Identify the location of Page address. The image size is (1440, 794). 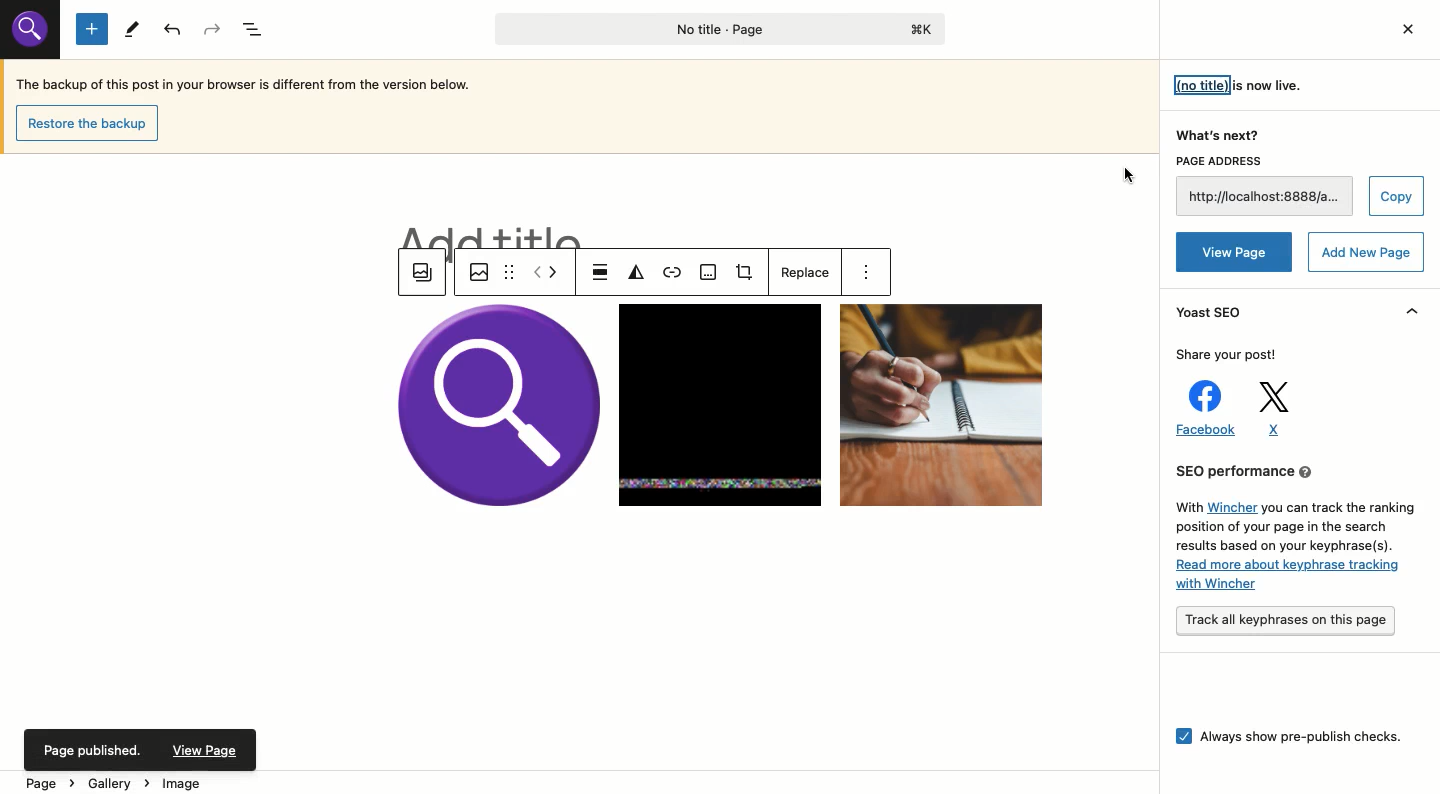
(1265, 187).